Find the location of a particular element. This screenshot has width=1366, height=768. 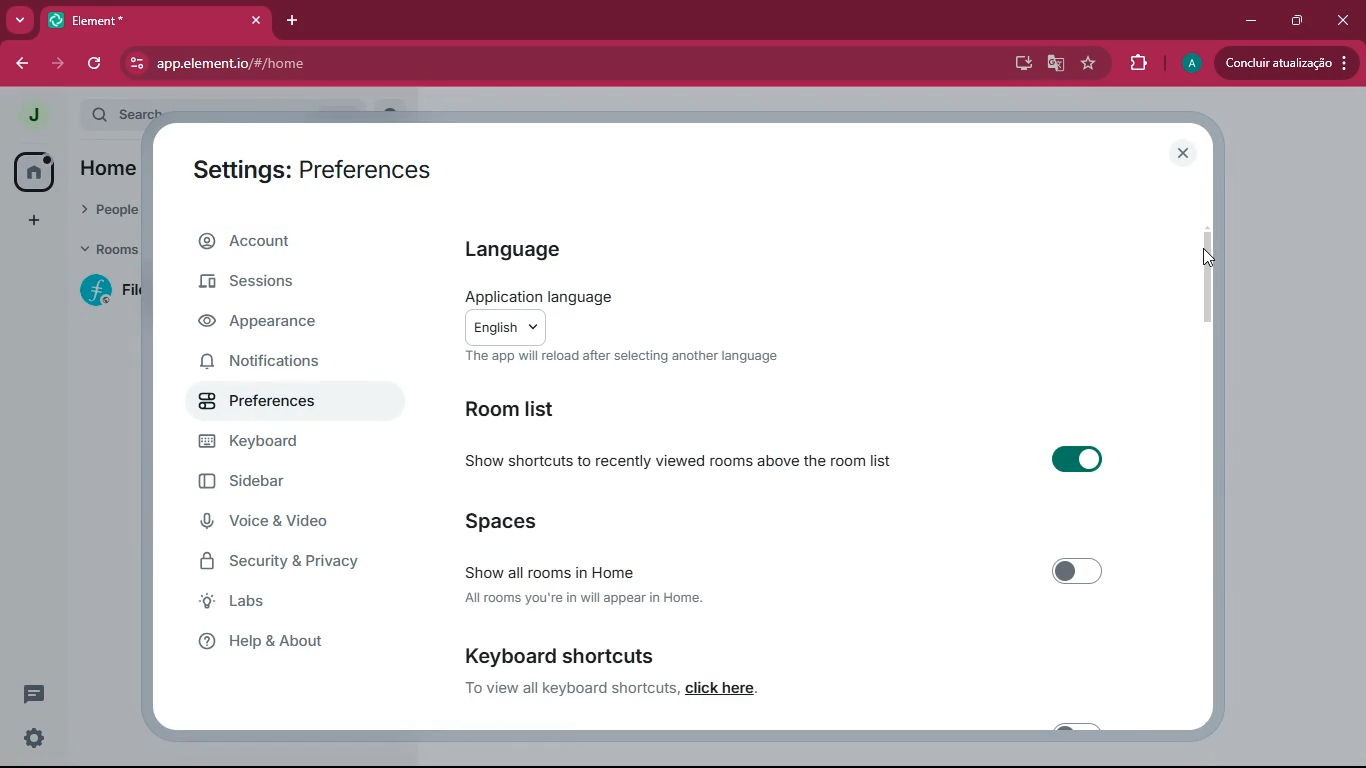

minimize is located at coordinates (1252, 19).